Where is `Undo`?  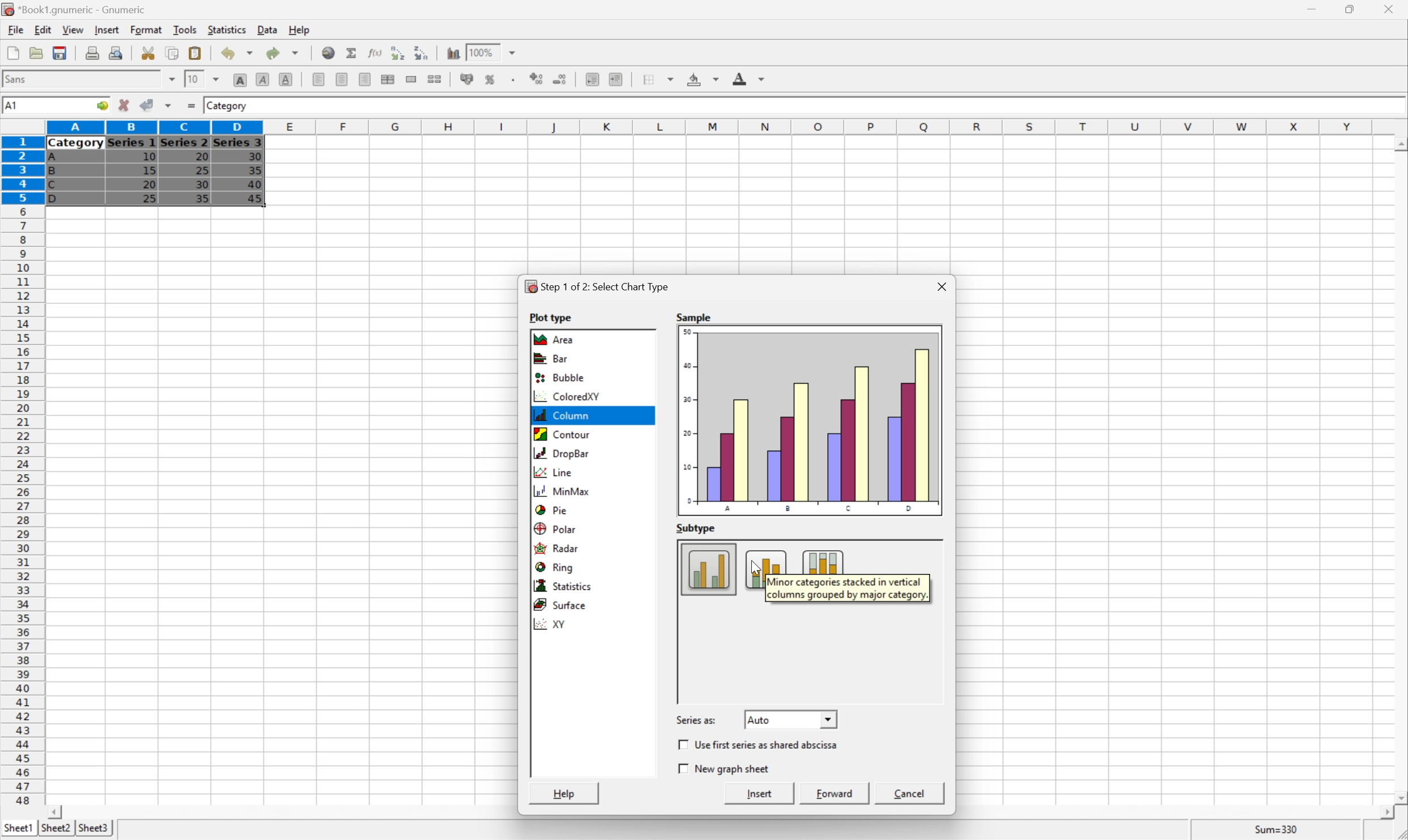 Undo is located at coordinates (238, 51).